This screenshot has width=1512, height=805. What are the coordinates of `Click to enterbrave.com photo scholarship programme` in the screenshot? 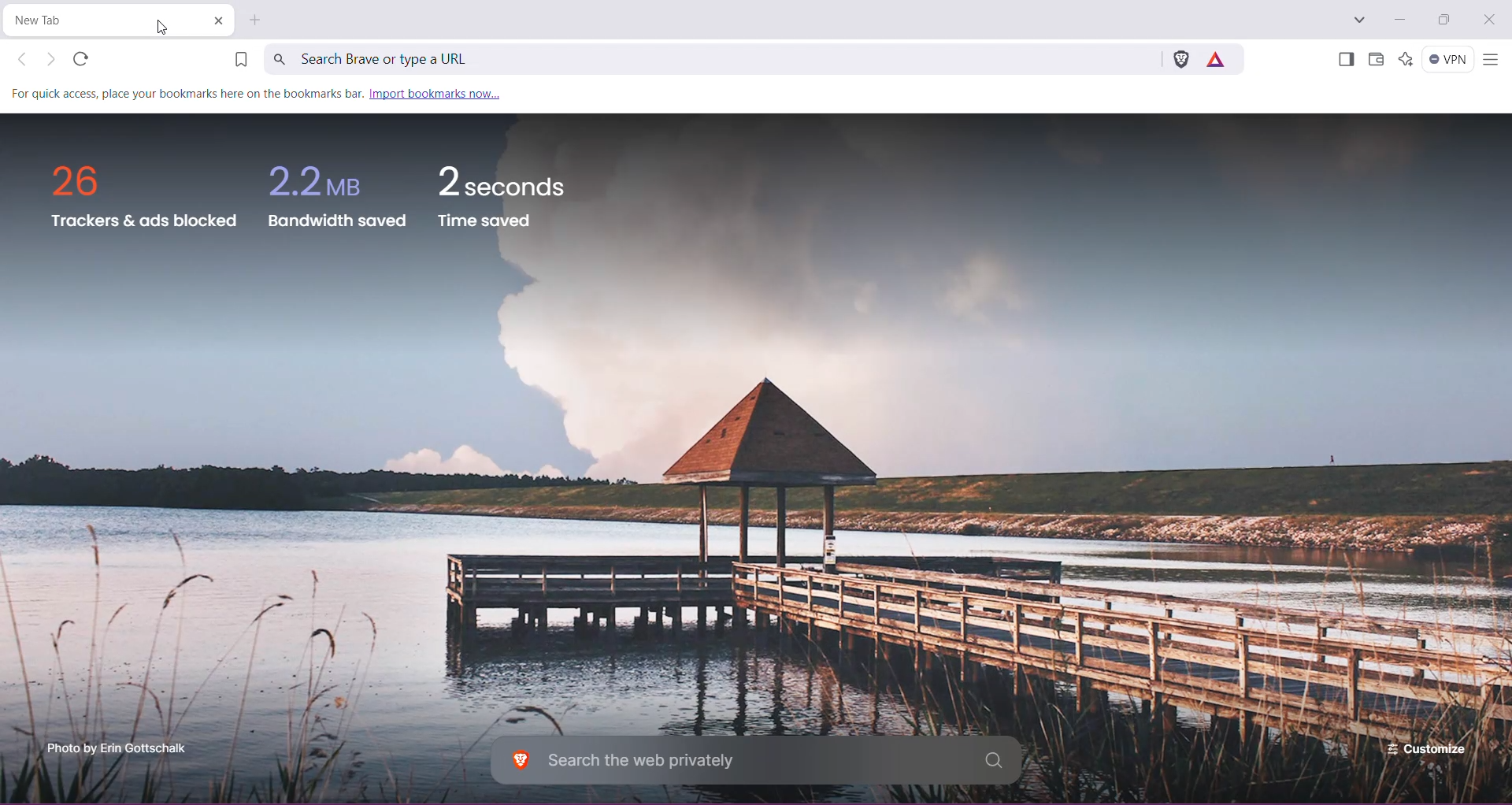 It's located at (118, 747).